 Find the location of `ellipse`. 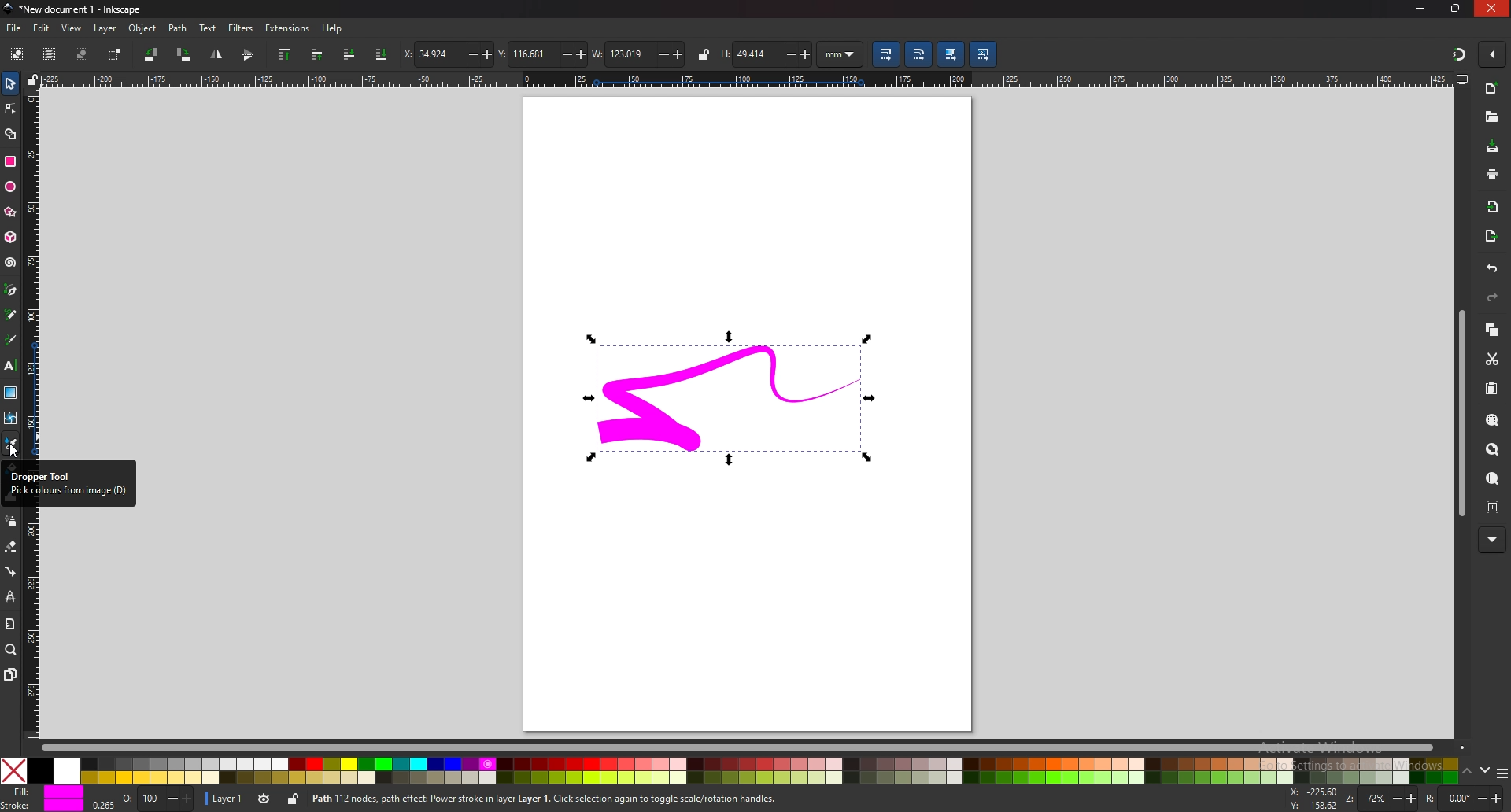

ellipse is located at coordinates (10, 187).